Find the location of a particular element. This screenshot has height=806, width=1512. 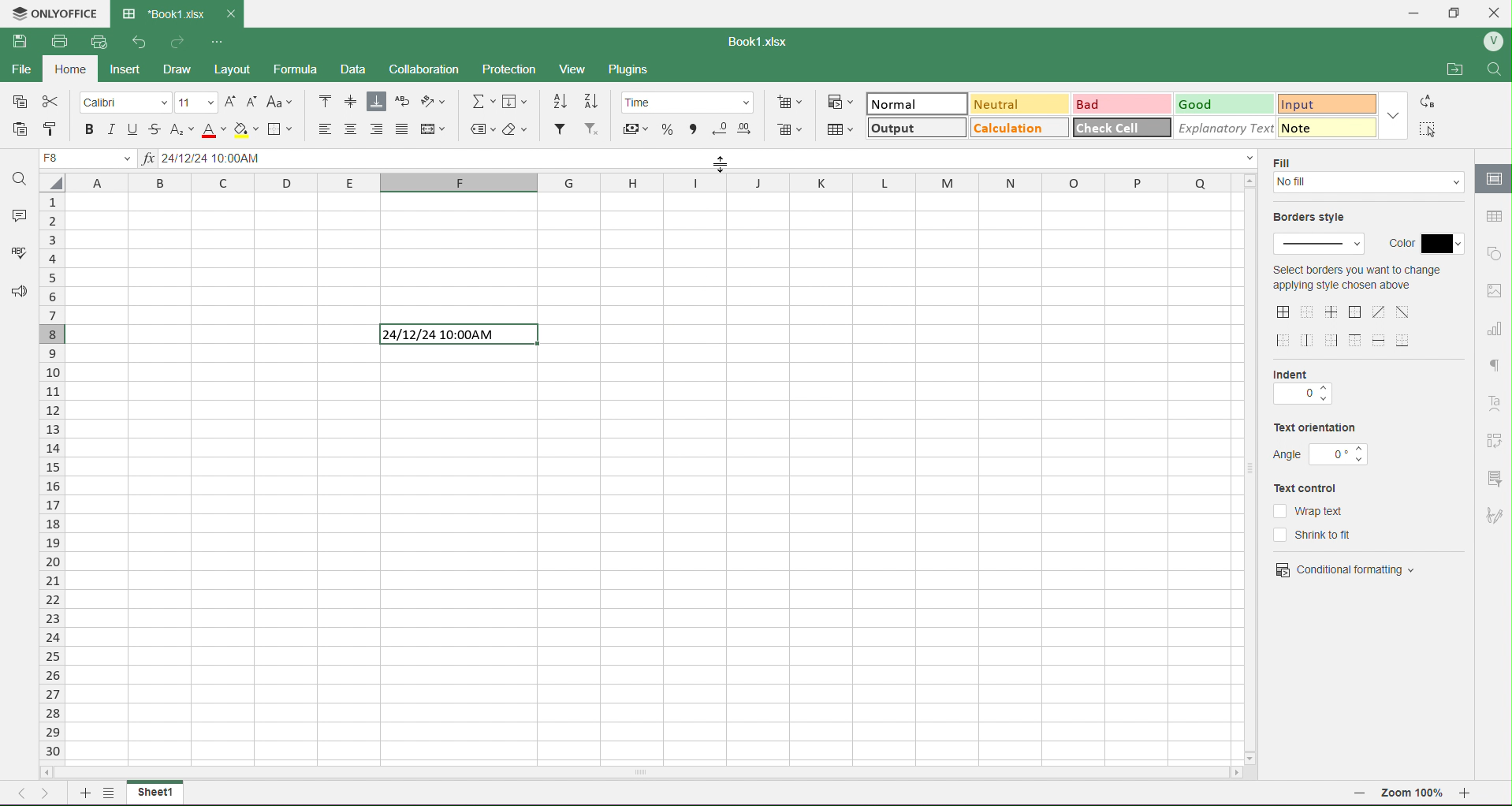

Copy Style is located at coordinates (48, 129).